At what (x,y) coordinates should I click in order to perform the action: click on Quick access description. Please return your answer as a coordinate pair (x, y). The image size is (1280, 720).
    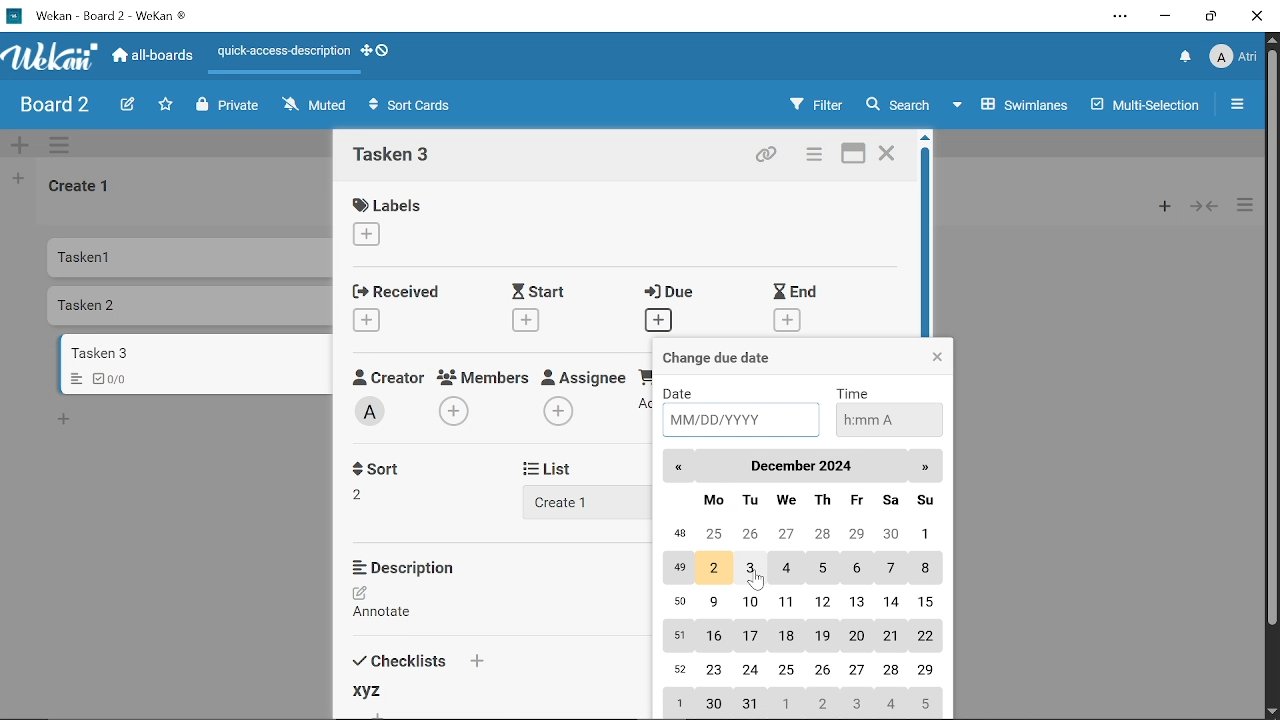
    Looking at the image, I should click on (281, 51).